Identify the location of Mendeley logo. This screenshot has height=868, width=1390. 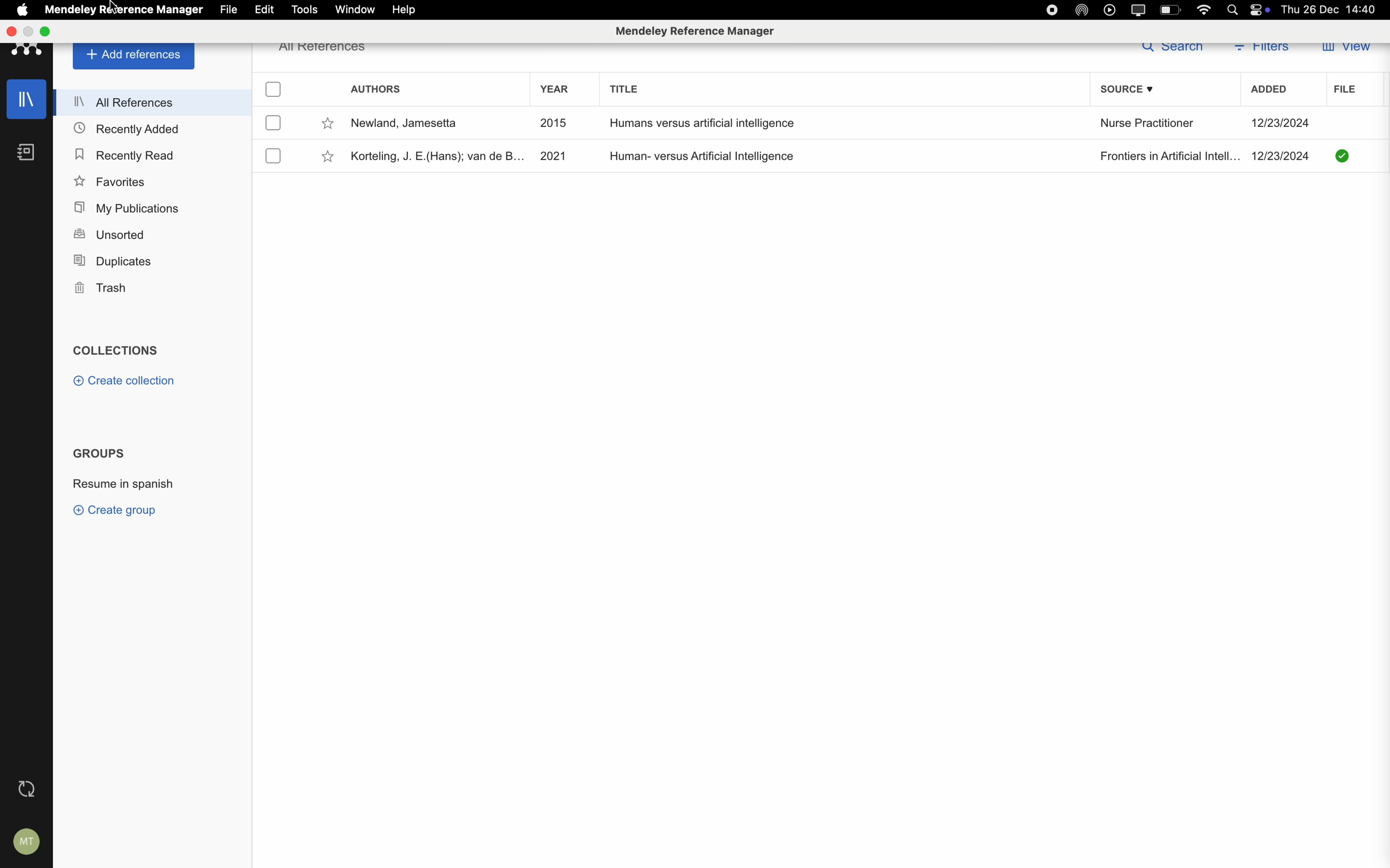
(27, 52).